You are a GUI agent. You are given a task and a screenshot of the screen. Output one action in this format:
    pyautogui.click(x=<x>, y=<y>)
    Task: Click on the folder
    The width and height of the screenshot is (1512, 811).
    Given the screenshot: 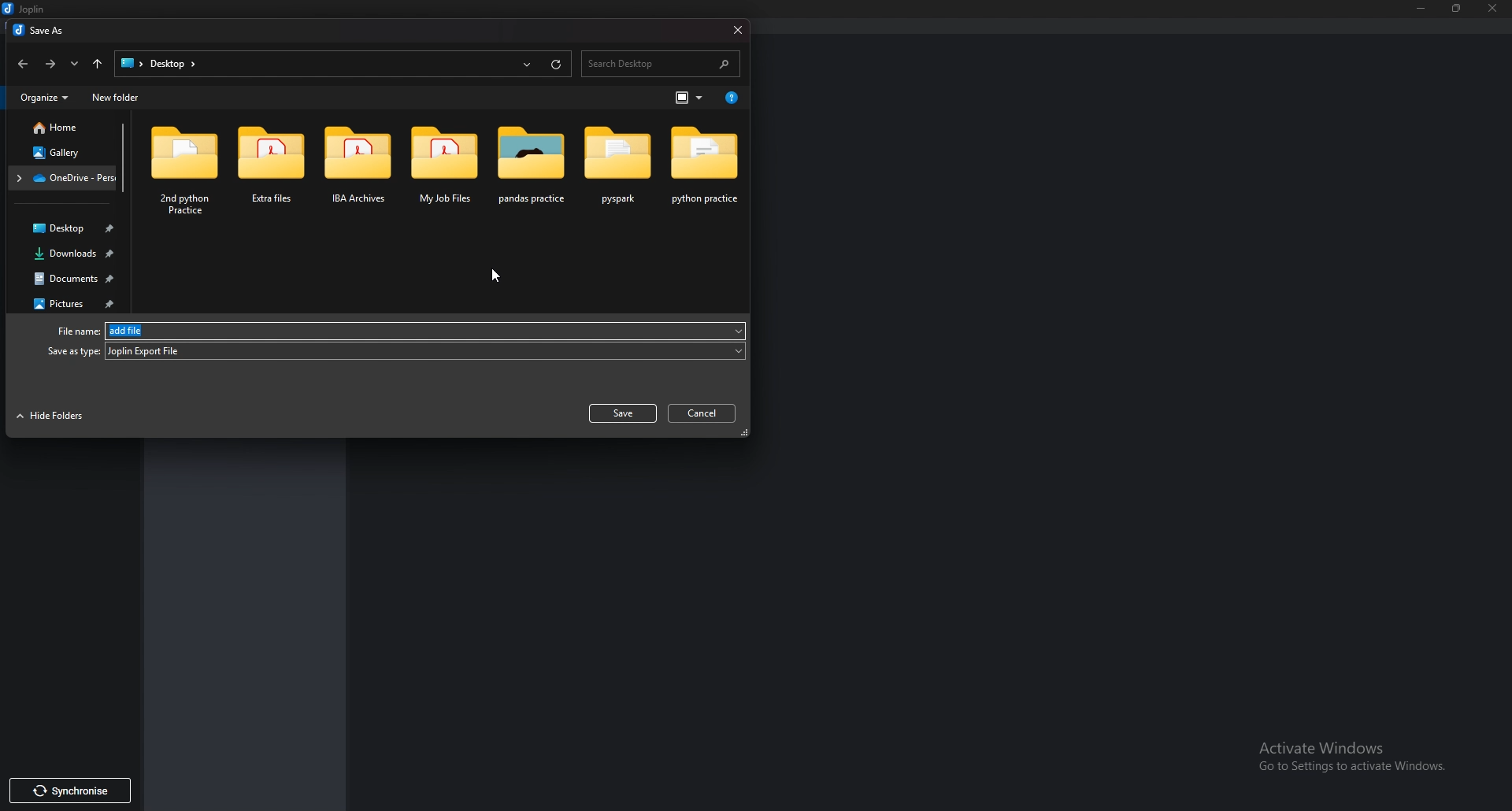 What is the action you would take?
    pyautogui.click(x=183, y=168)
    